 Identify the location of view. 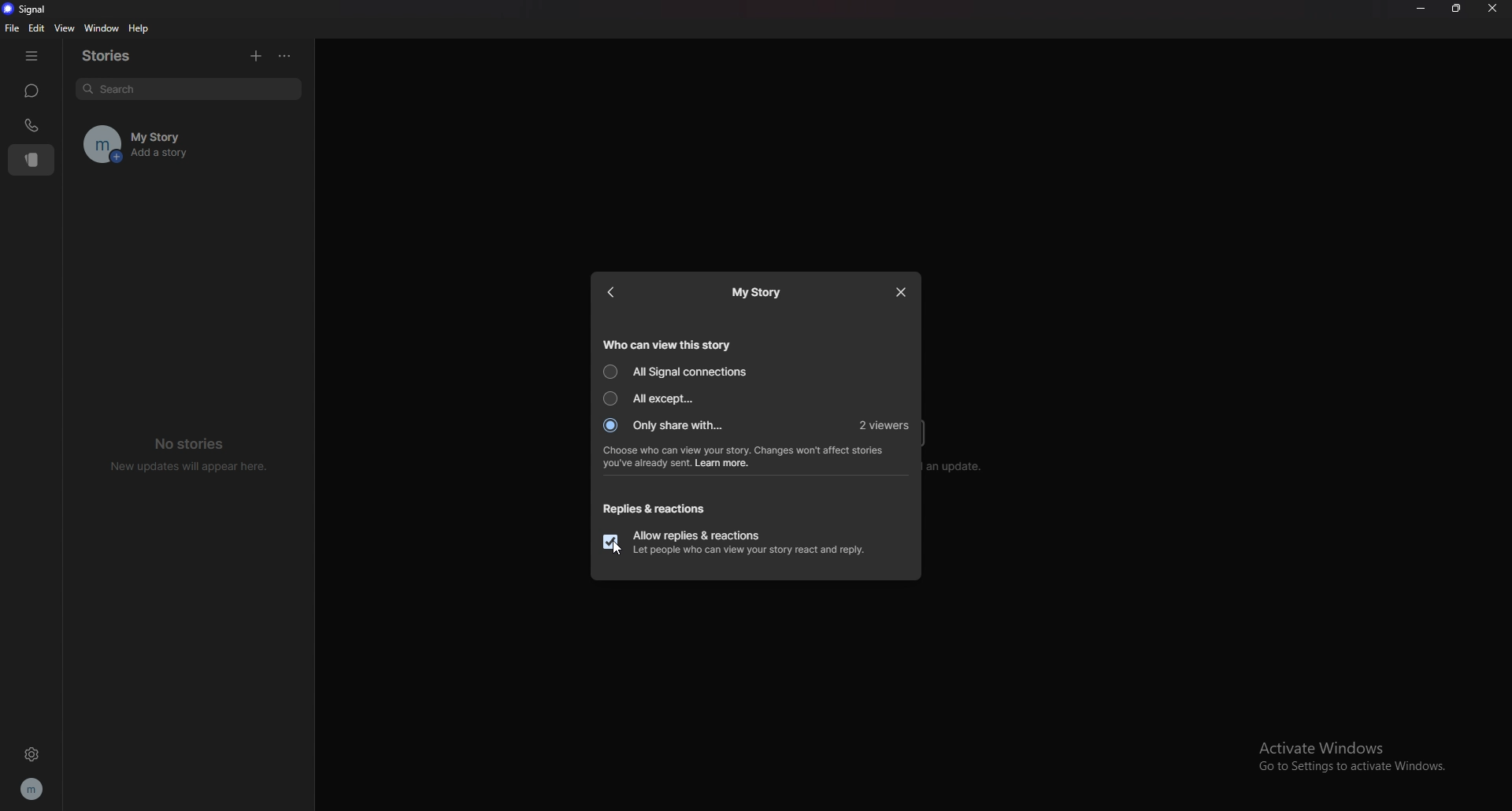
(63, 28).